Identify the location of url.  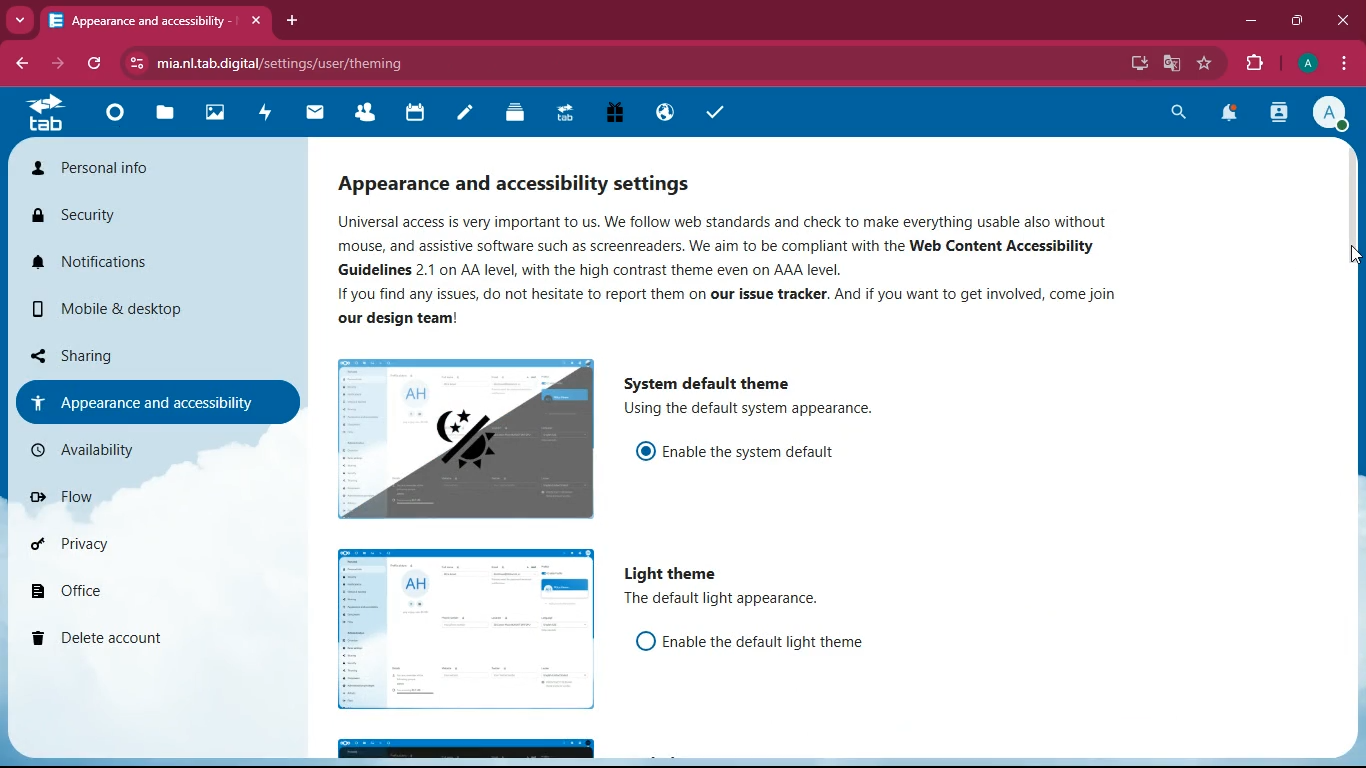
(282, 63).